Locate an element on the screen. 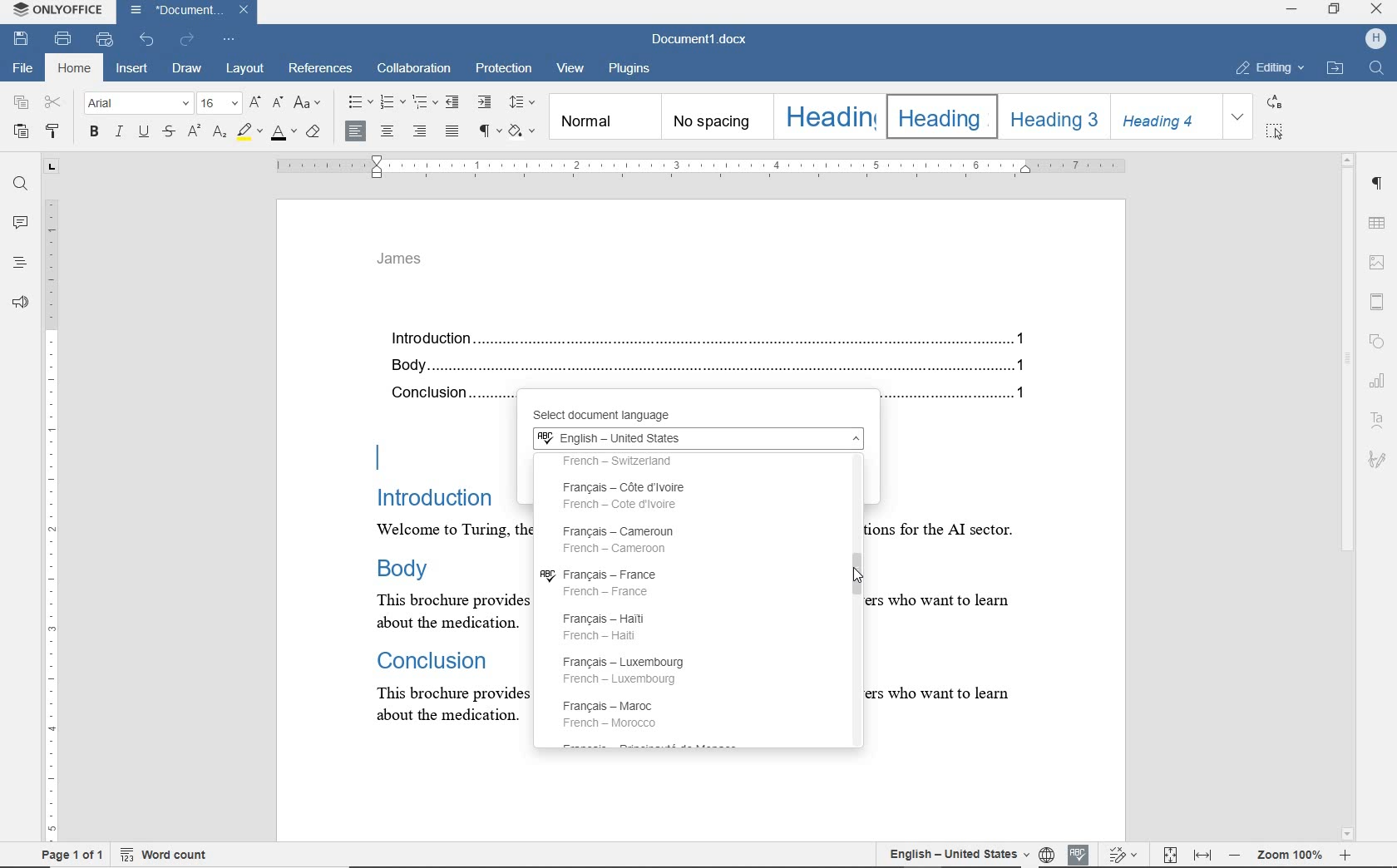 This screenshot has height=868, width=1397. copy style is located at coordinates (57, 133).